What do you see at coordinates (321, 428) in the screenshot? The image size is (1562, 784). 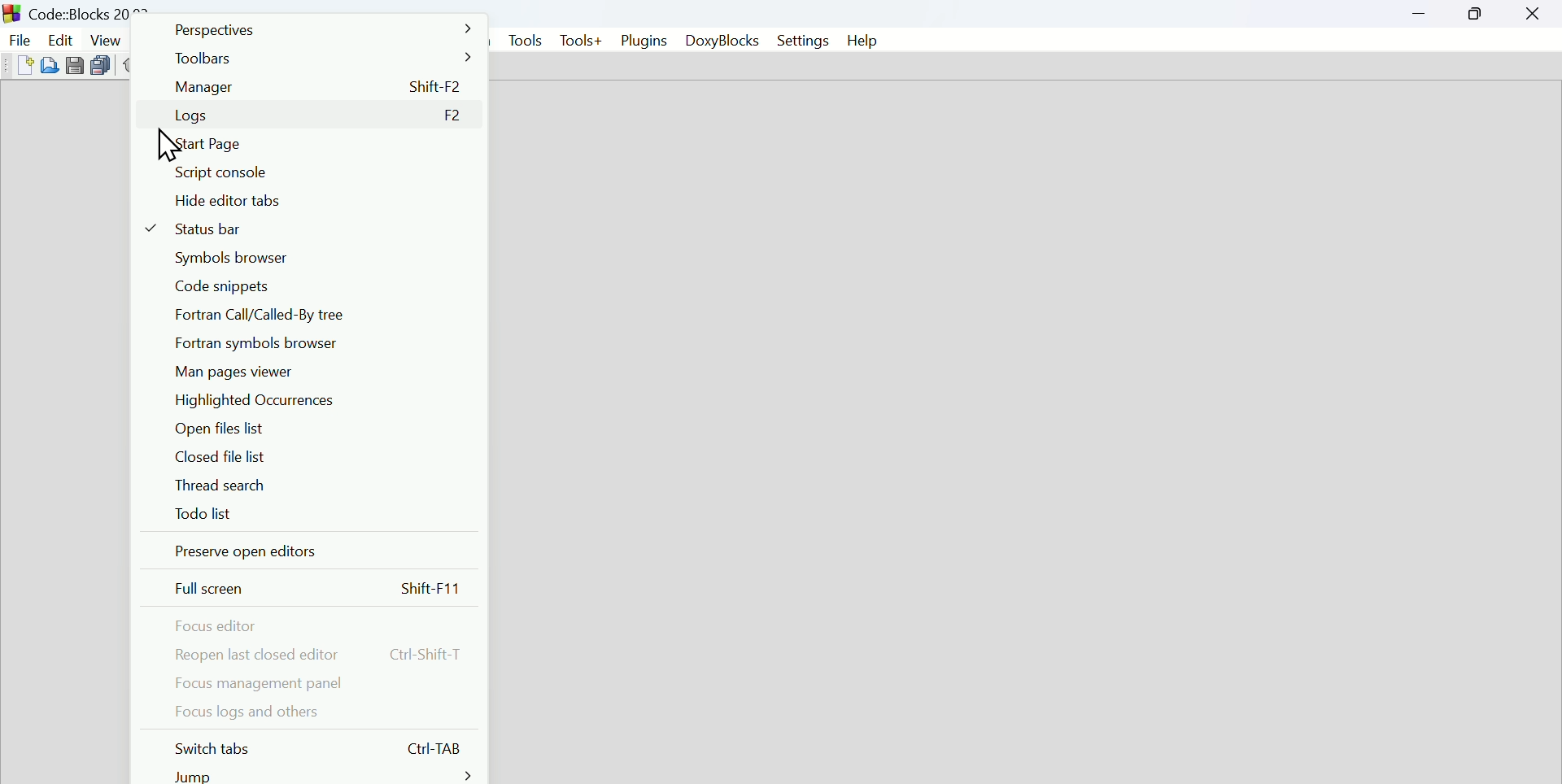 I see `Open file list` at bounding box center [321, 428].